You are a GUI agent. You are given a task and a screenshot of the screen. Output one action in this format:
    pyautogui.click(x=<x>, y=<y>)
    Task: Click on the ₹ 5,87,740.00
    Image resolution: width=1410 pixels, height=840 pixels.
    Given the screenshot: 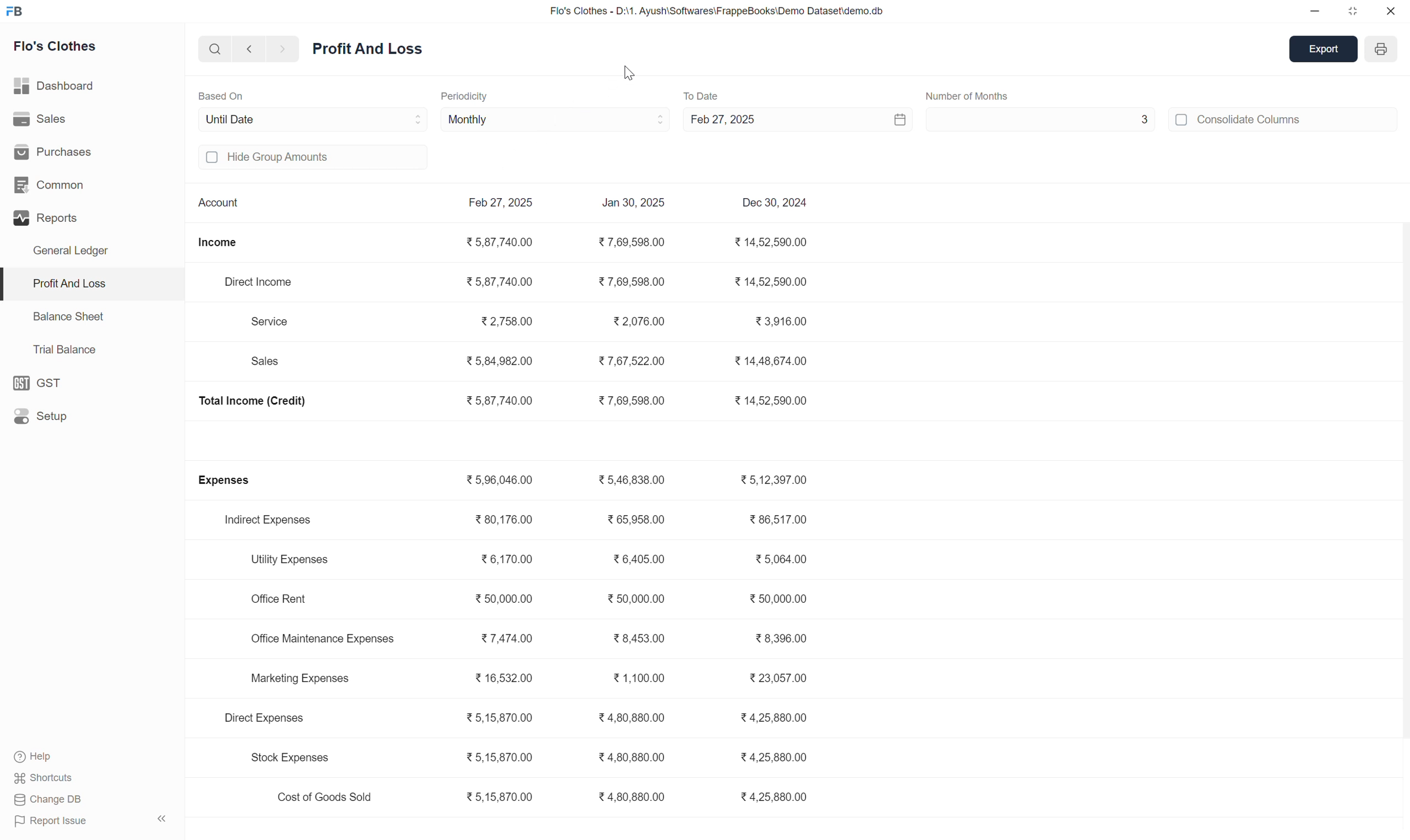 What is the action you would take?
    pyautogui.click(x=499, y=401)
    